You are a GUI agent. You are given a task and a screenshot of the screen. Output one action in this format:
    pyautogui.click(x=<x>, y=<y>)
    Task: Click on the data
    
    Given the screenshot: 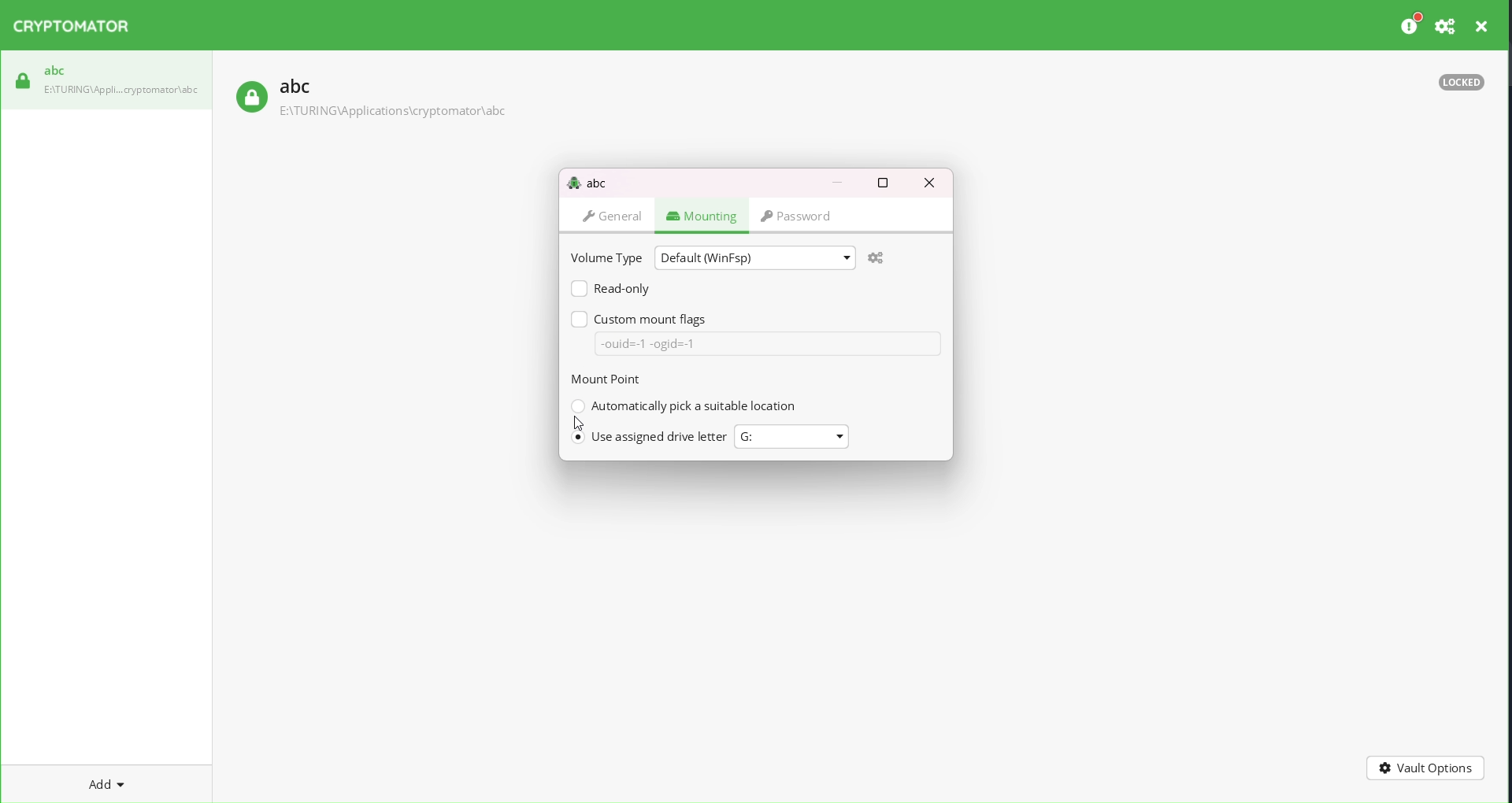 What is the action you would take?
    pyautogui.click(x=768, y=344)
    